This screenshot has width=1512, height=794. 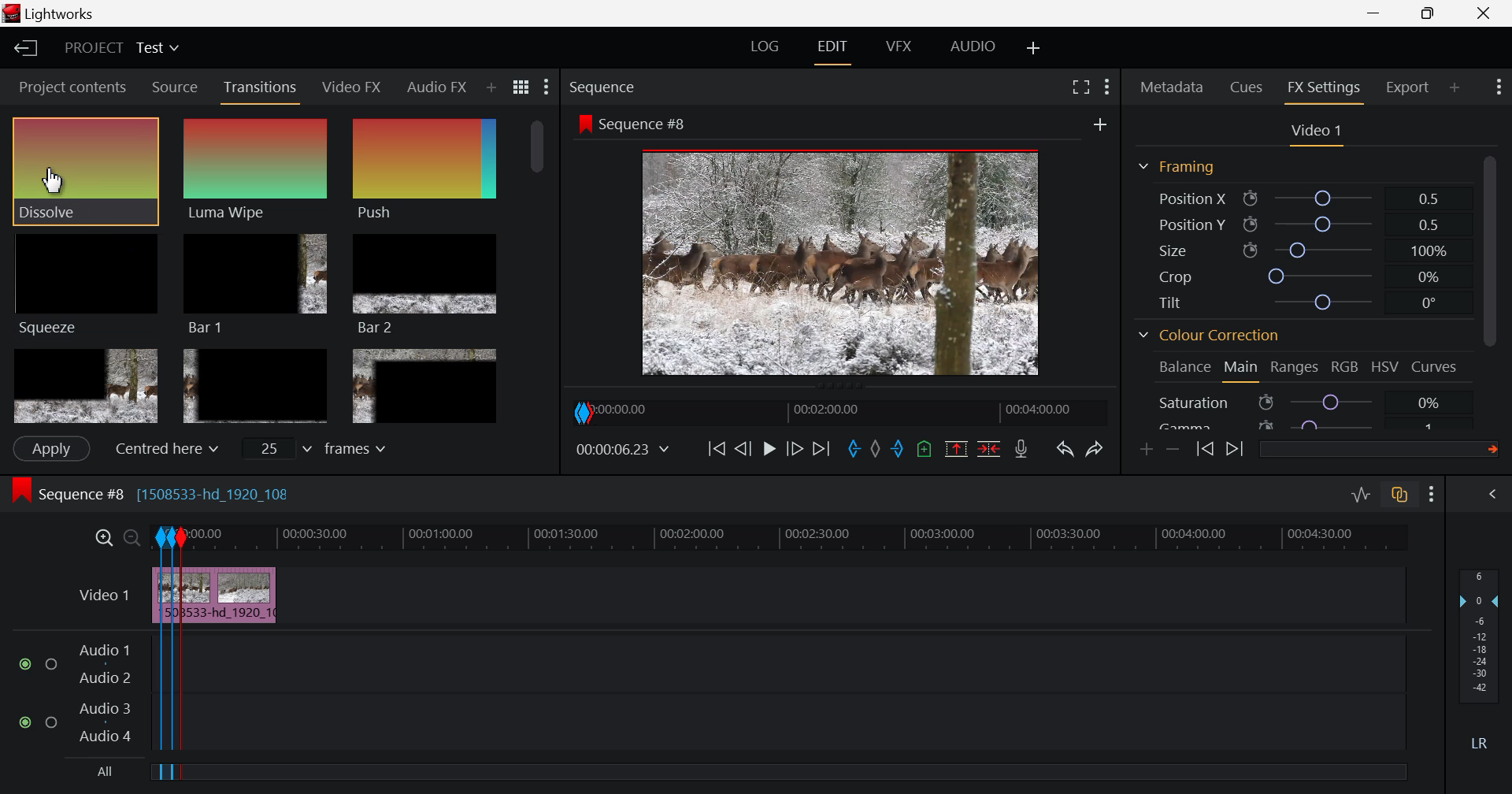 I want to click on Video Frame Time, so click(x=624, y=450).